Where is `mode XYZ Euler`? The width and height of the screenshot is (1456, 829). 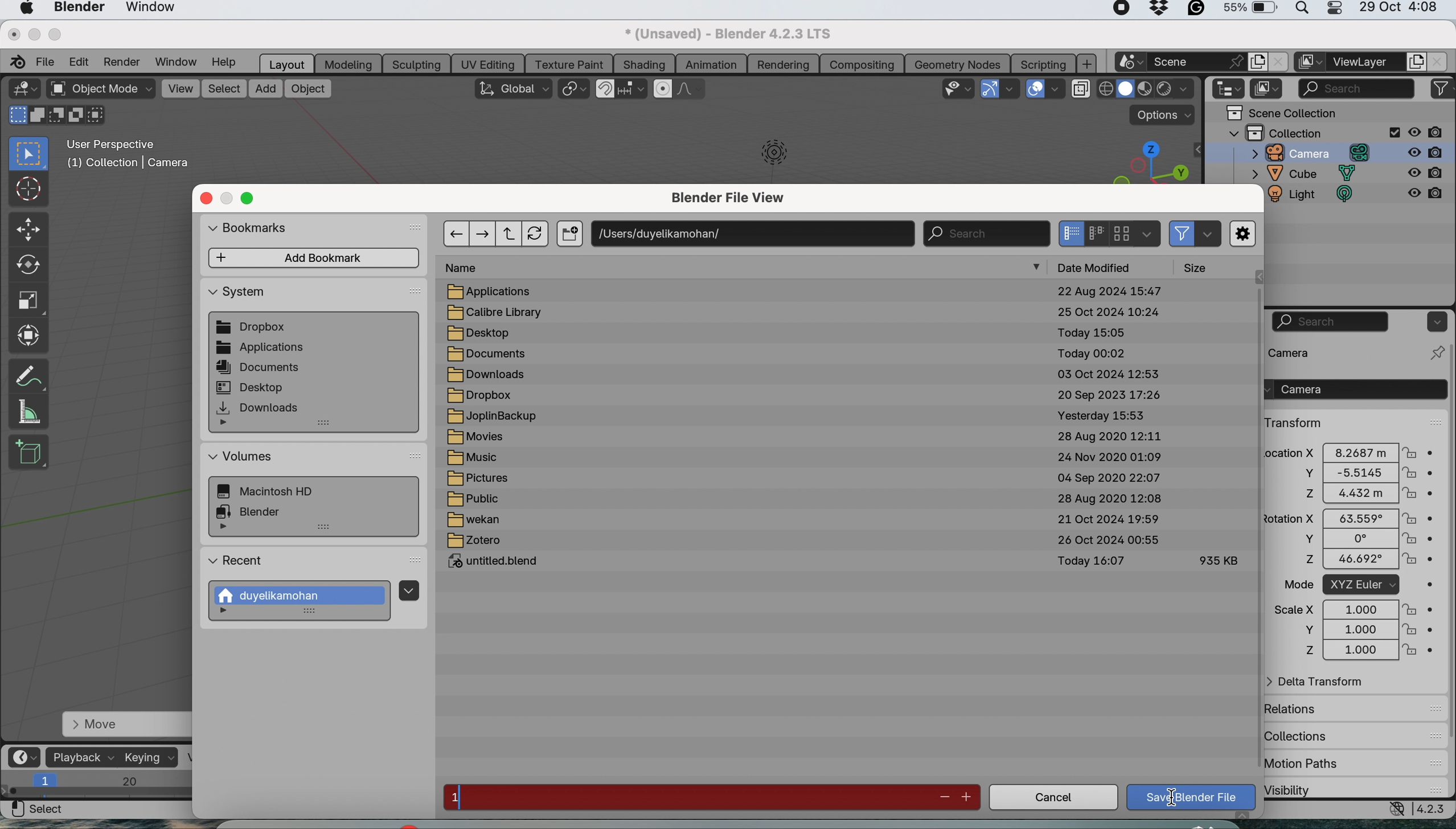 mode XYZ Euler is located at coordinates (1350, 585).